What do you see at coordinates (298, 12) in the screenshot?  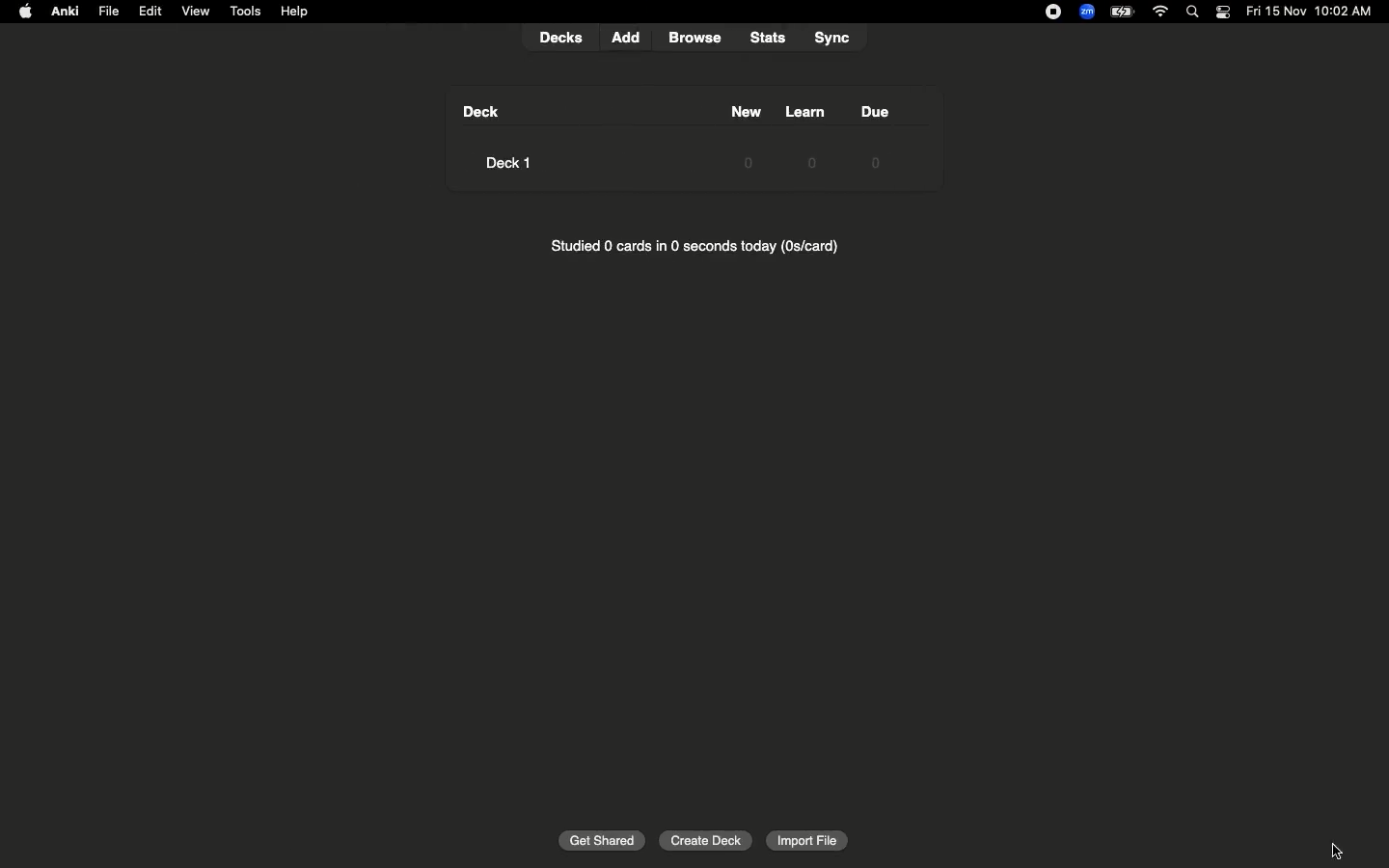 I see `help` at bounding box center [298, 12].